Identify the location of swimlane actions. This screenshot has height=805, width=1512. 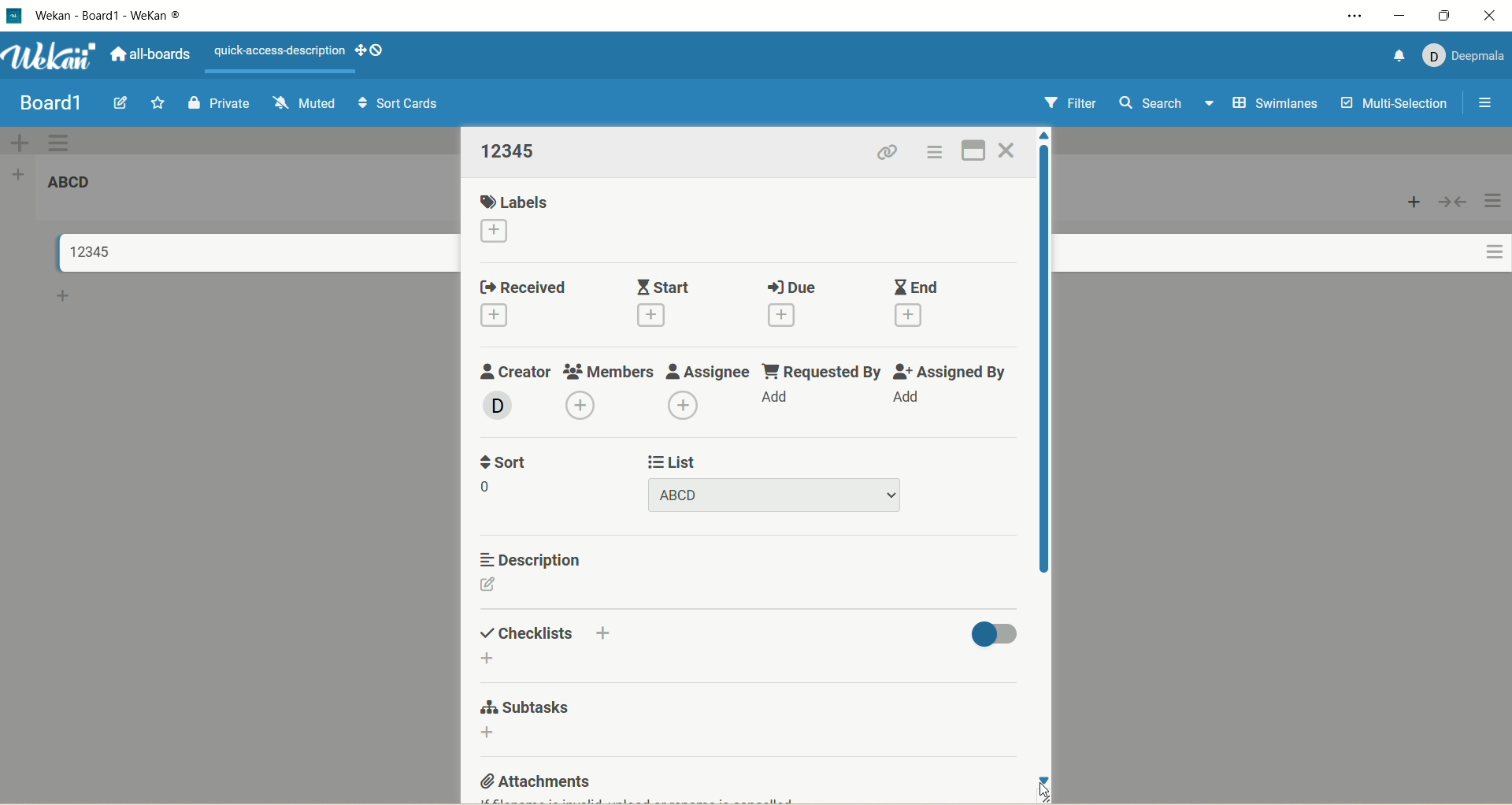
(60, 143).